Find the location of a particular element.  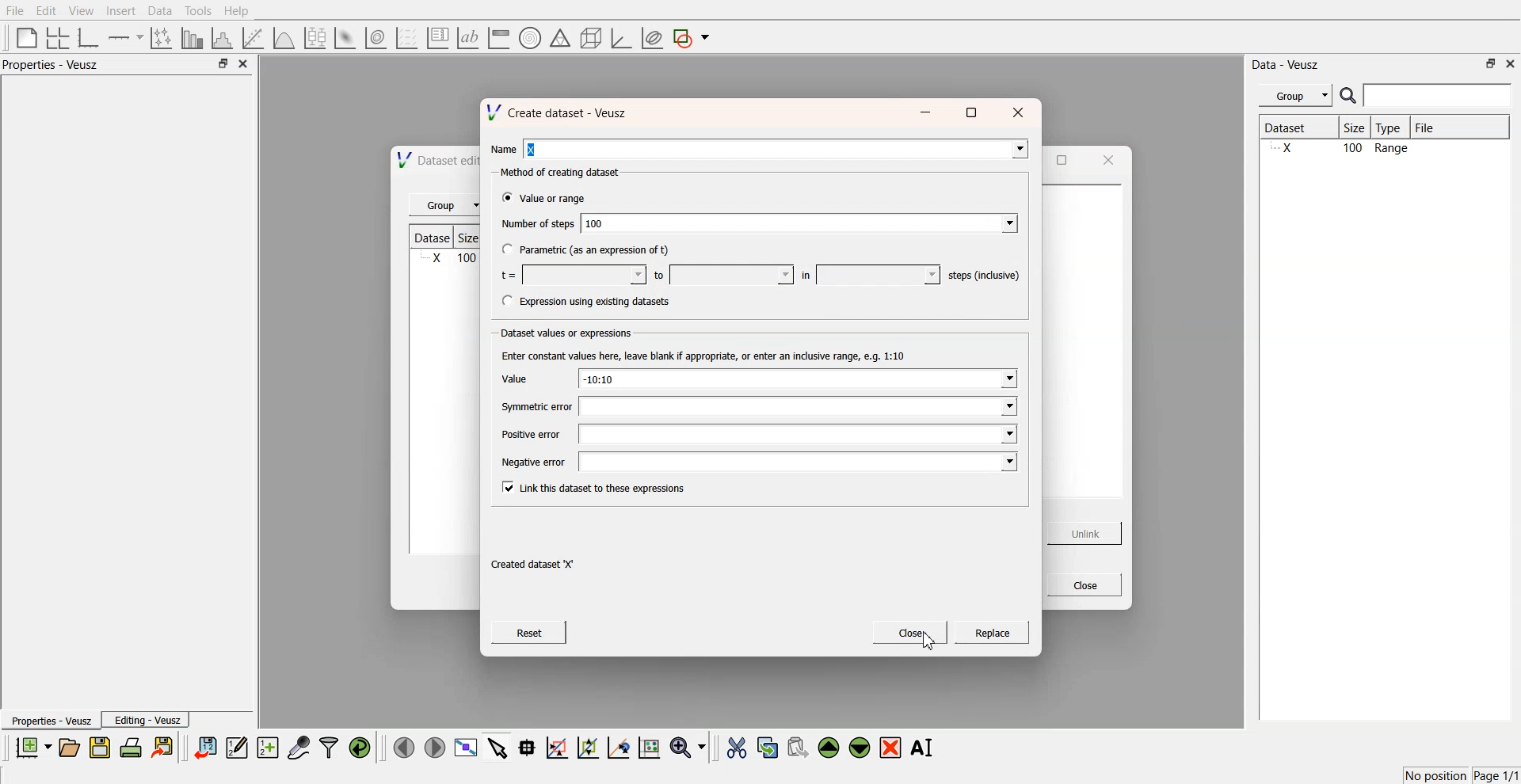

File is located at coordinates (1439, 127).